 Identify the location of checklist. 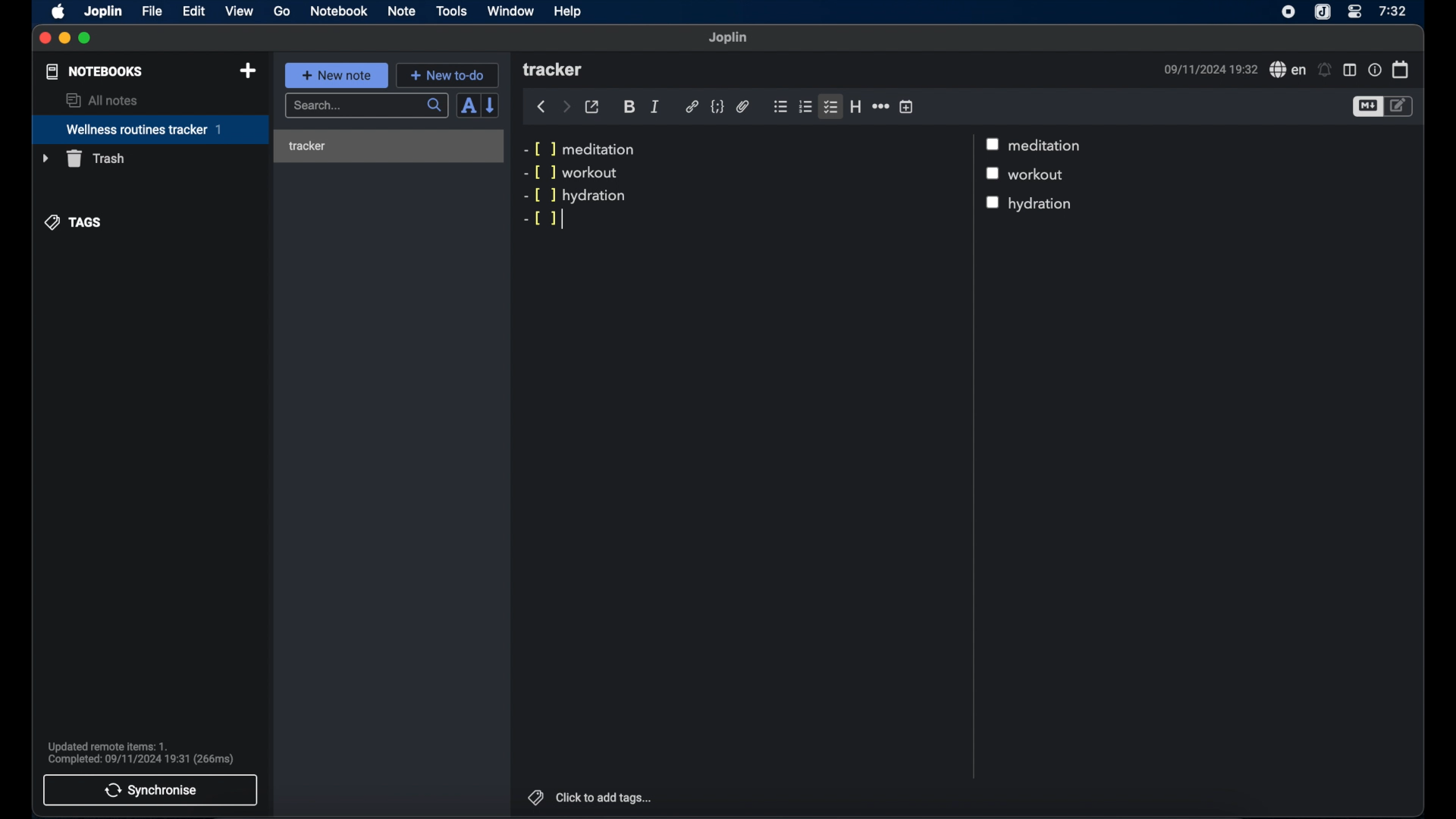
(830, 108).